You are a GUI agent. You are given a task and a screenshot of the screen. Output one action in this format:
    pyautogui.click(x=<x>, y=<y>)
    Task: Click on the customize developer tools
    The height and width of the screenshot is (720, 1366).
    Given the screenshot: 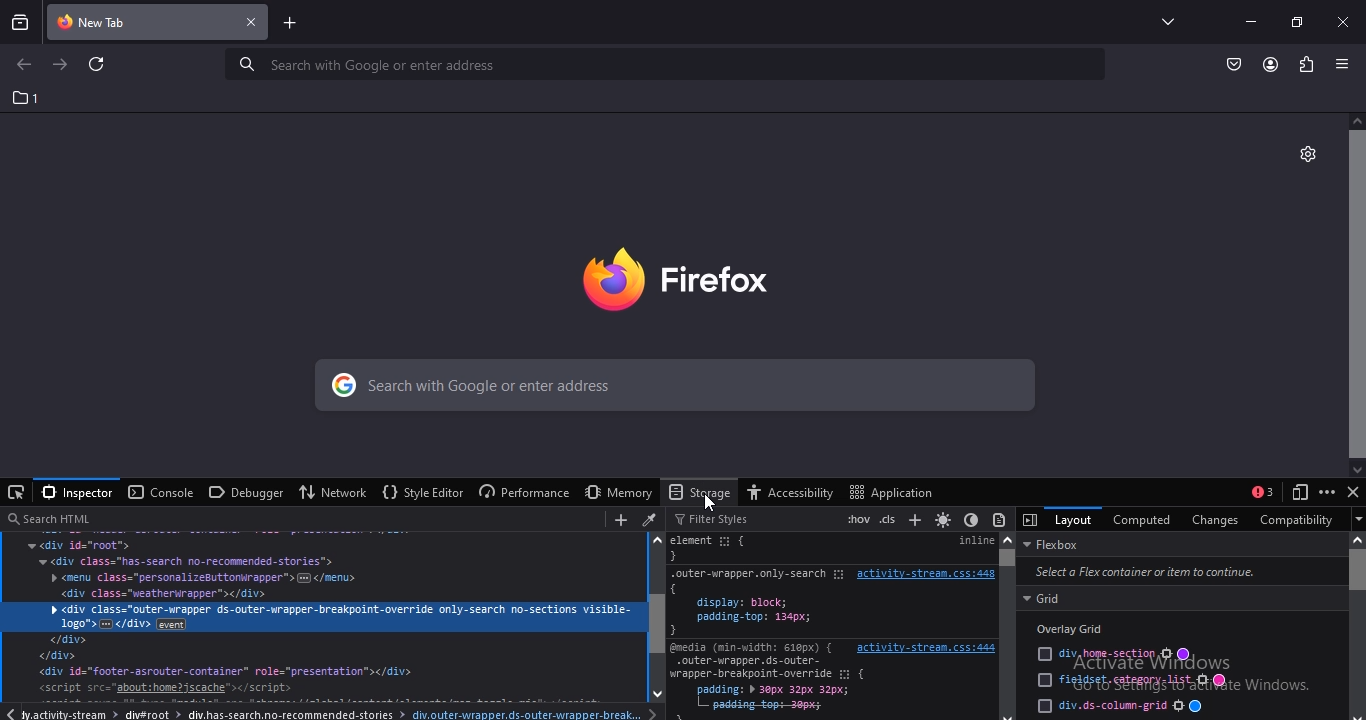 What is the action you would take?
    pyautogui.click(x=1327, y=492)
    